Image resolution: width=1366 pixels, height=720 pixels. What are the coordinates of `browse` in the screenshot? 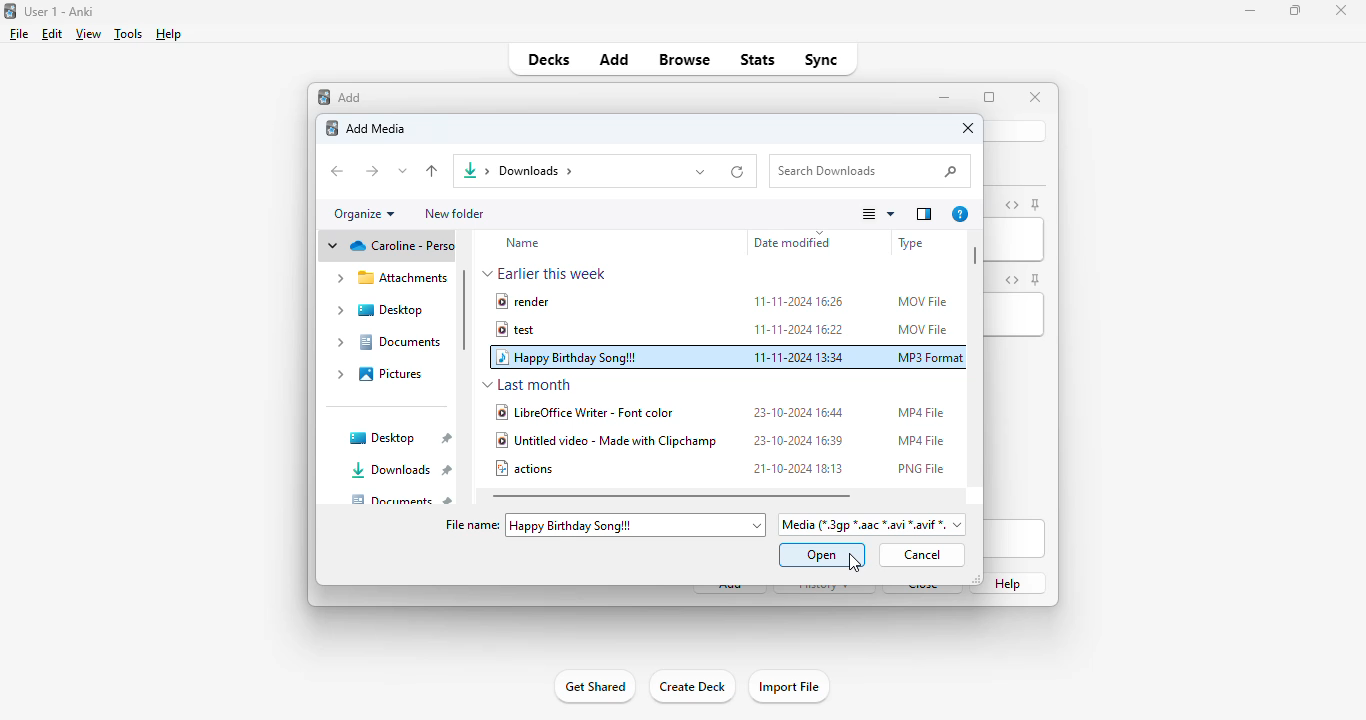 It's located at (683, 60).